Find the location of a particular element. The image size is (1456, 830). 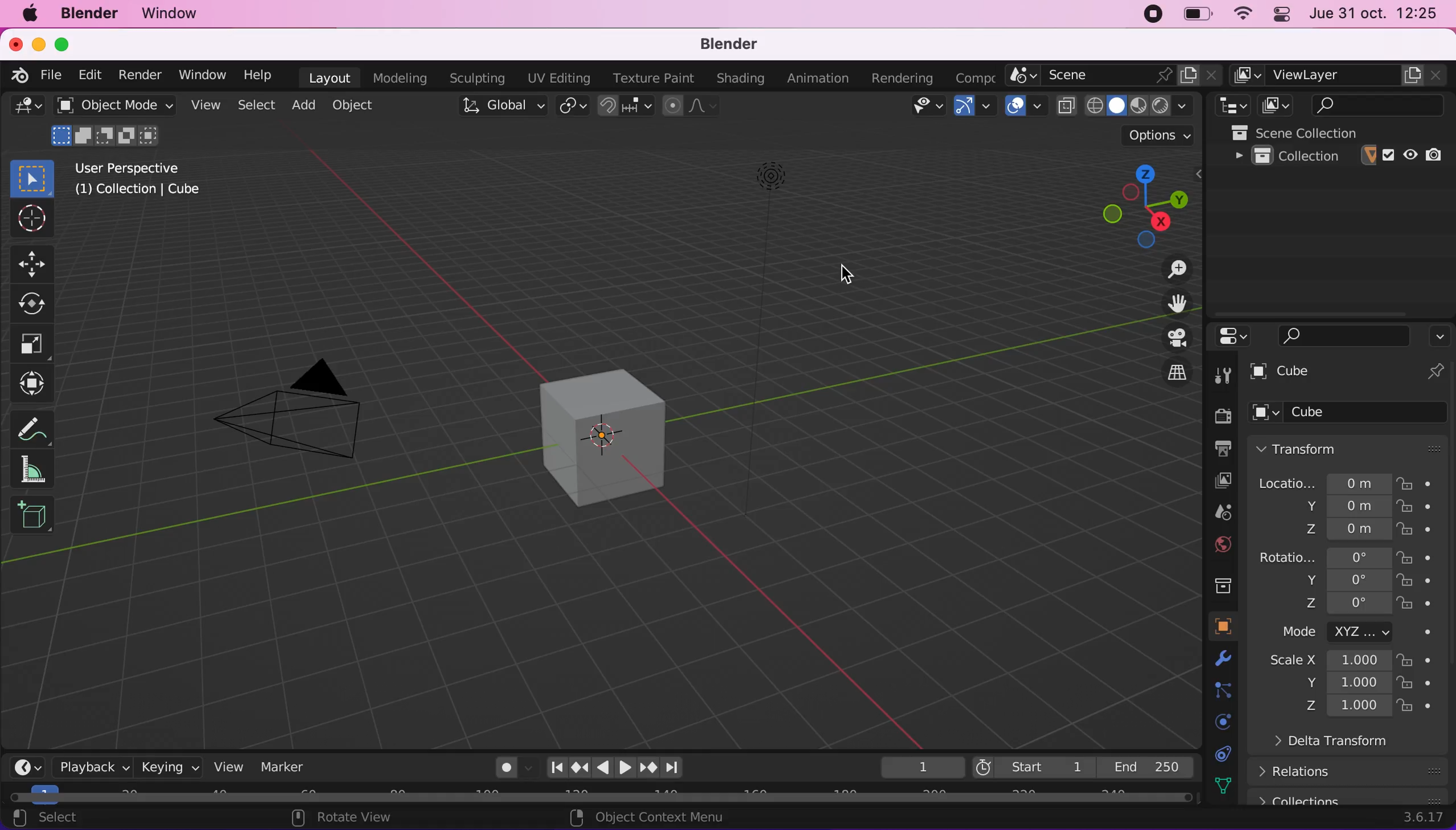

collection is located at coordinates (1340, 156).